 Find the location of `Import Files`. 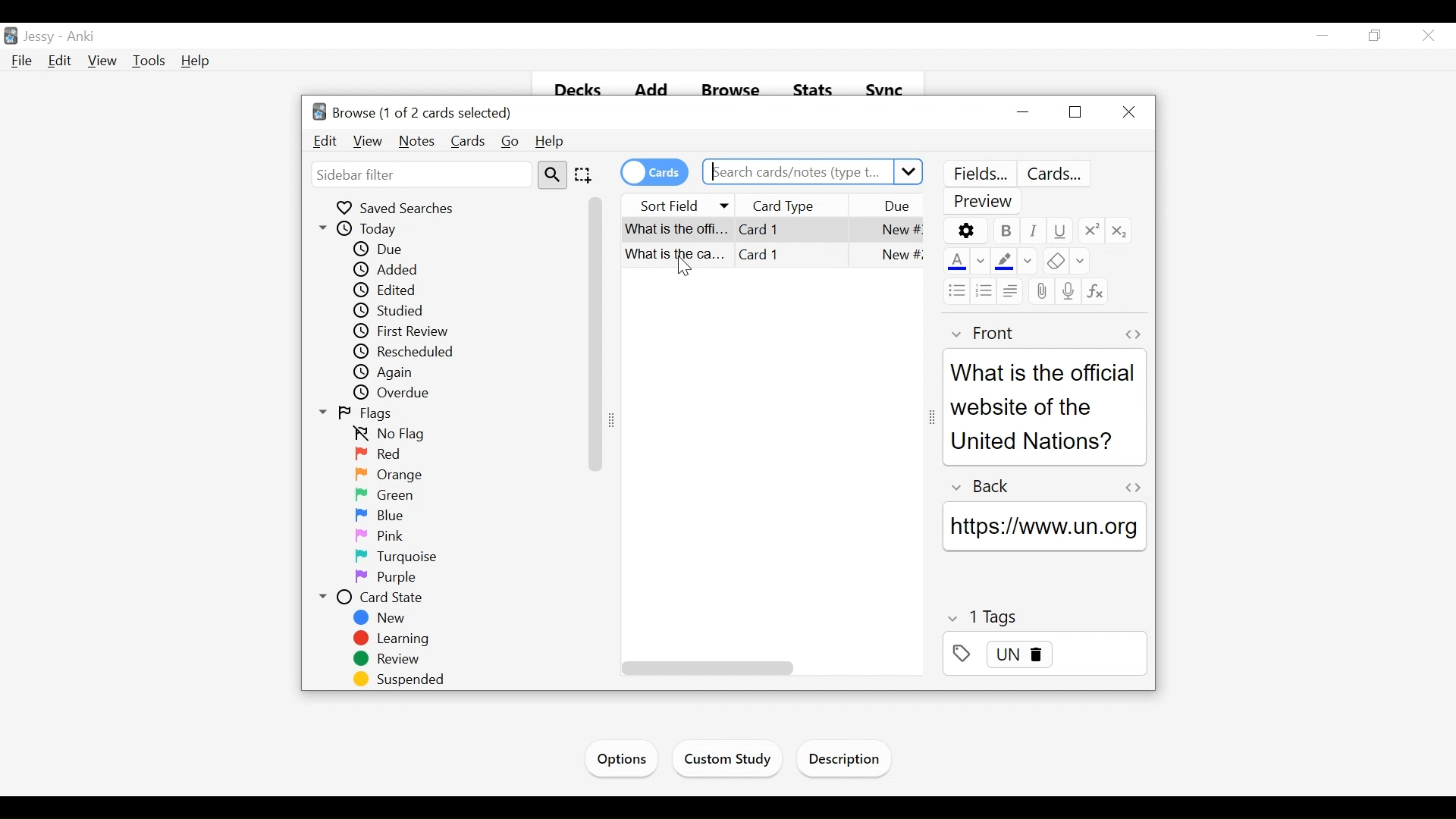

Import Files is located at coordinates (848, 761).